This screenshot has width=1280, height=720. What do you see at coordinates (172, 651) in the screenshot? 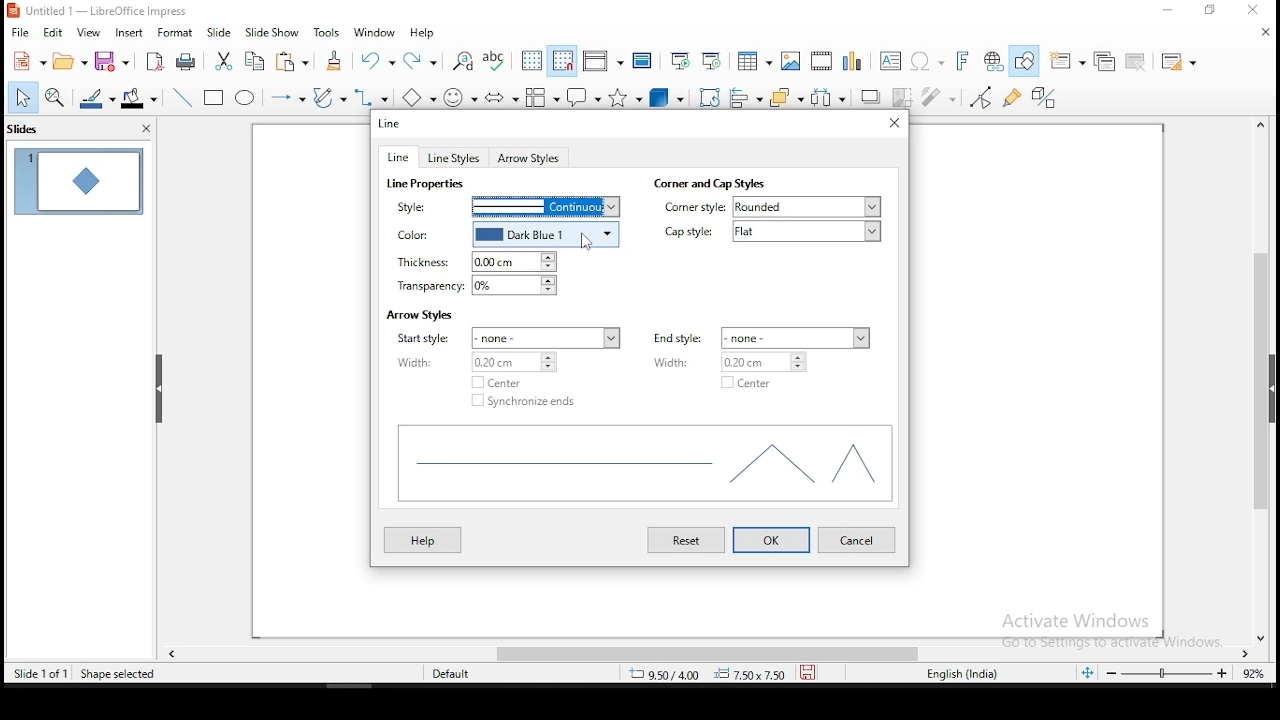
I see `scroll right` at bounding box center [172, 651].